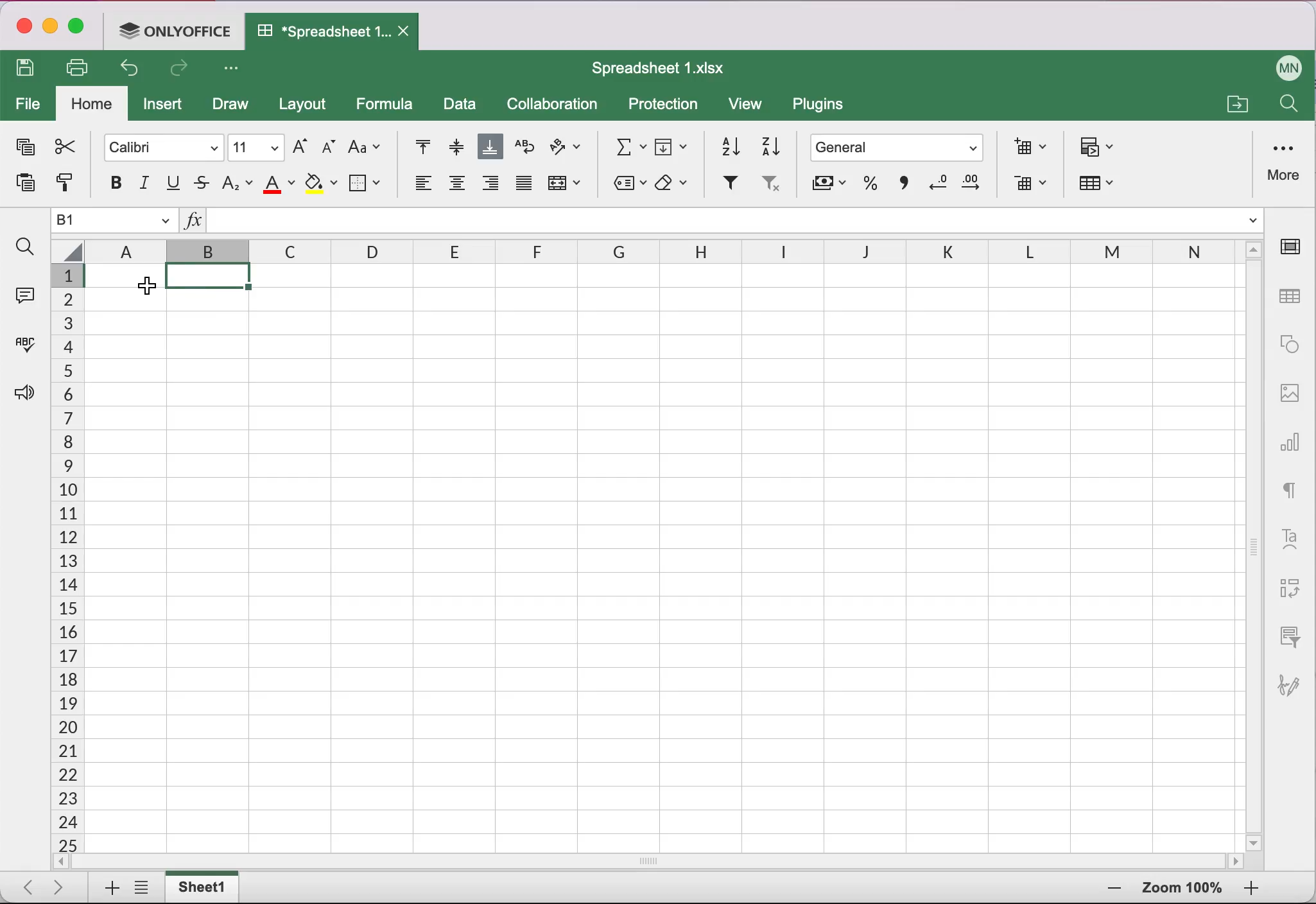 The width and height of the screenshot is (1316, 904). I want to click on user name, so click(1290, 65).